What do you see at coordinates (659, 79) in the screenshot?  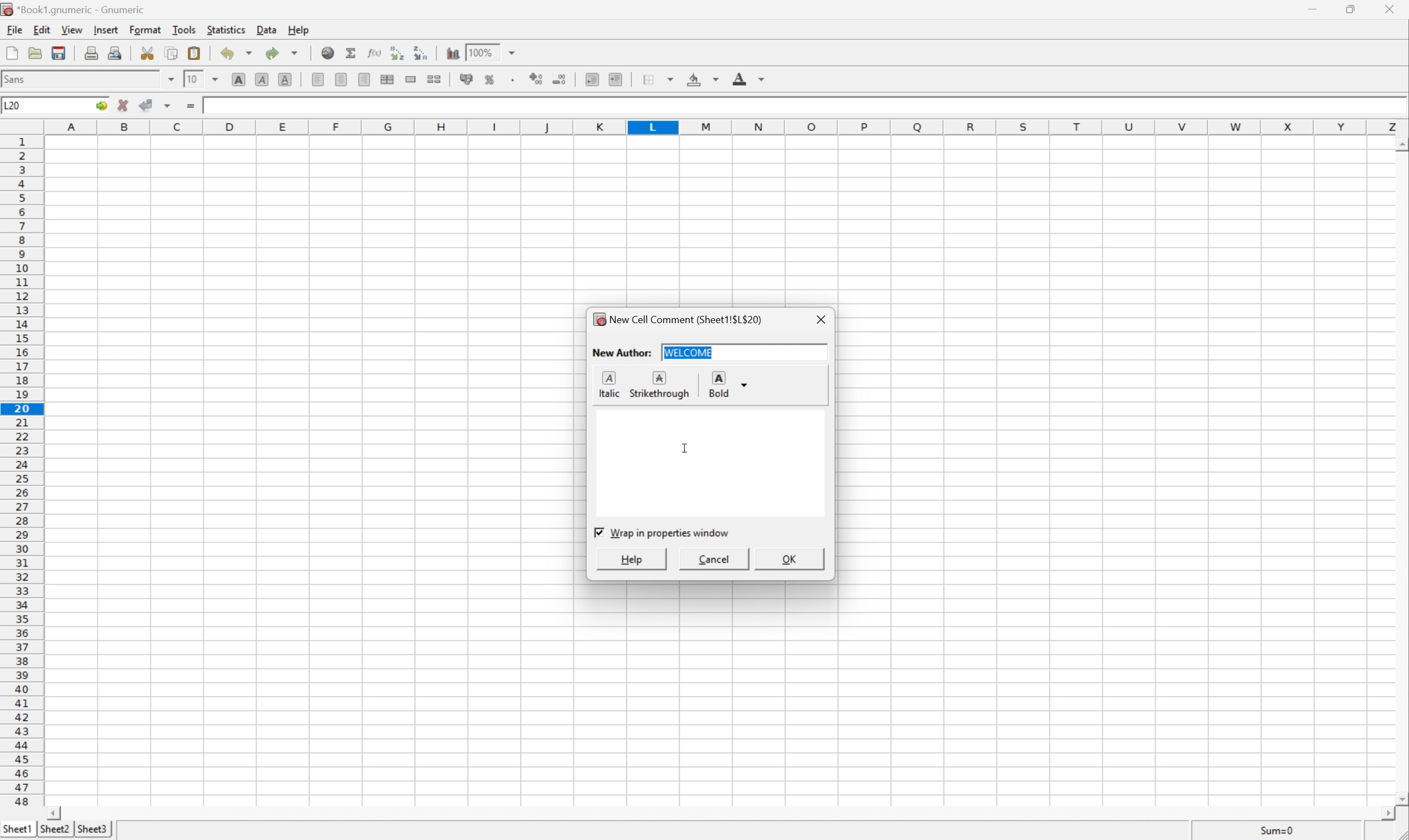 I see `Borders` at bounding box center [659, 79].